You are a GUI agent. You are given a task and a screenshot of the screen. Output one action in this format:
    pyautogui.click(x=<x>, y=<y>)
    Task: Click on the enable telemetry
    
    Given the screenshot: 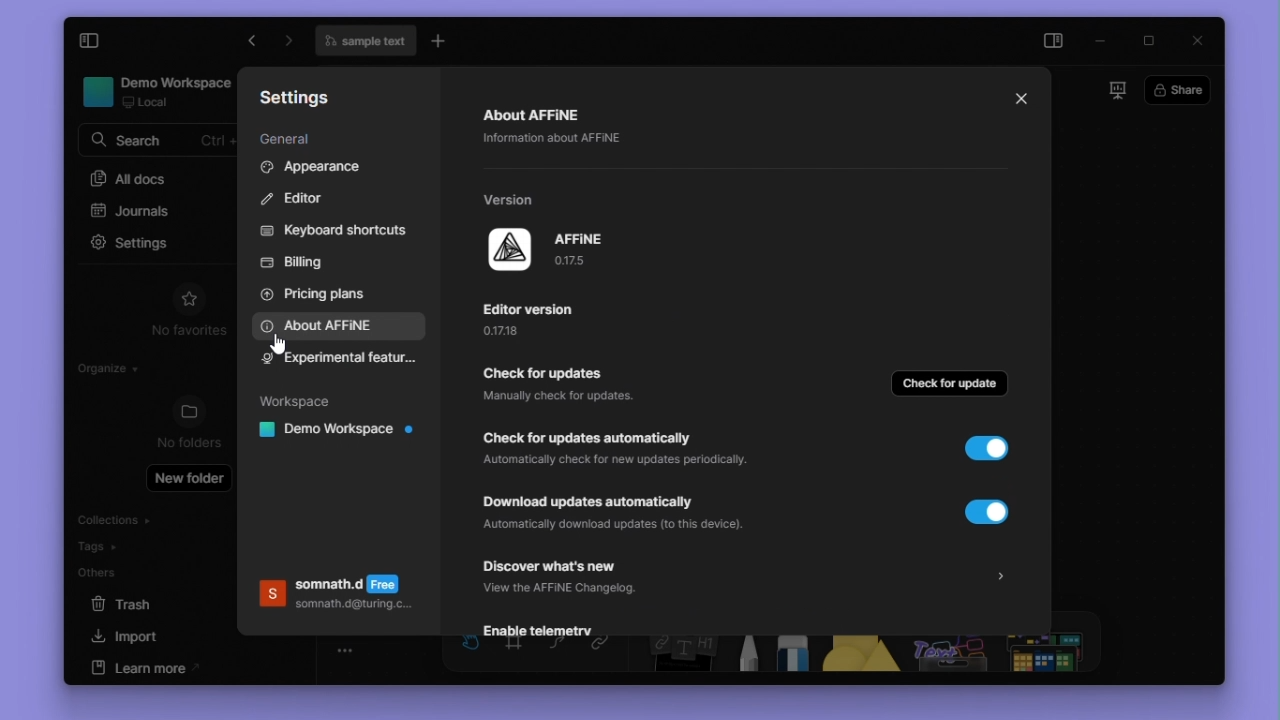 What is the action you would take?
    pyautogui.click(x=540, y=627)
    